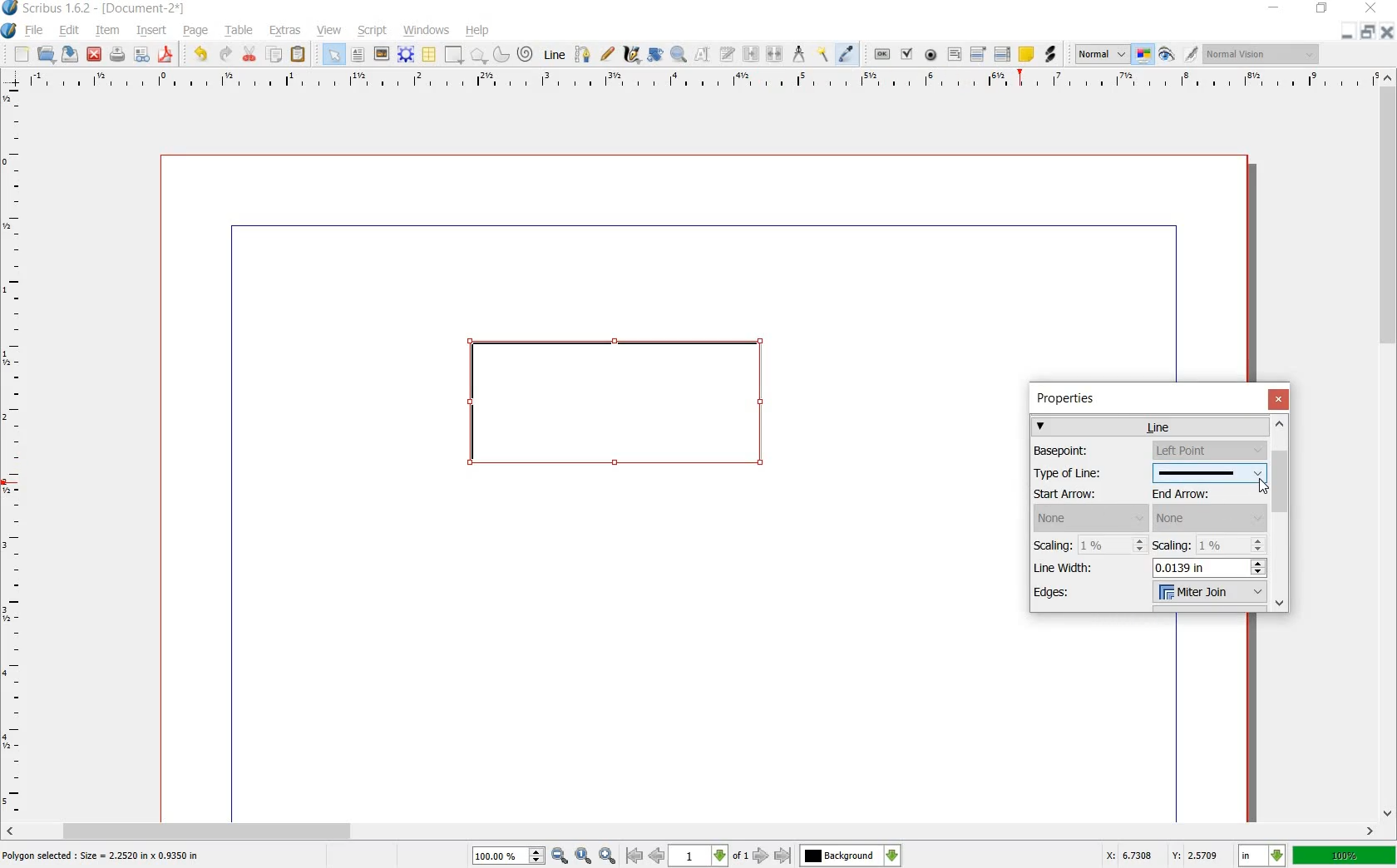 The image size is (1397, 868). I want to click on 100.00%, so click(509, 856).